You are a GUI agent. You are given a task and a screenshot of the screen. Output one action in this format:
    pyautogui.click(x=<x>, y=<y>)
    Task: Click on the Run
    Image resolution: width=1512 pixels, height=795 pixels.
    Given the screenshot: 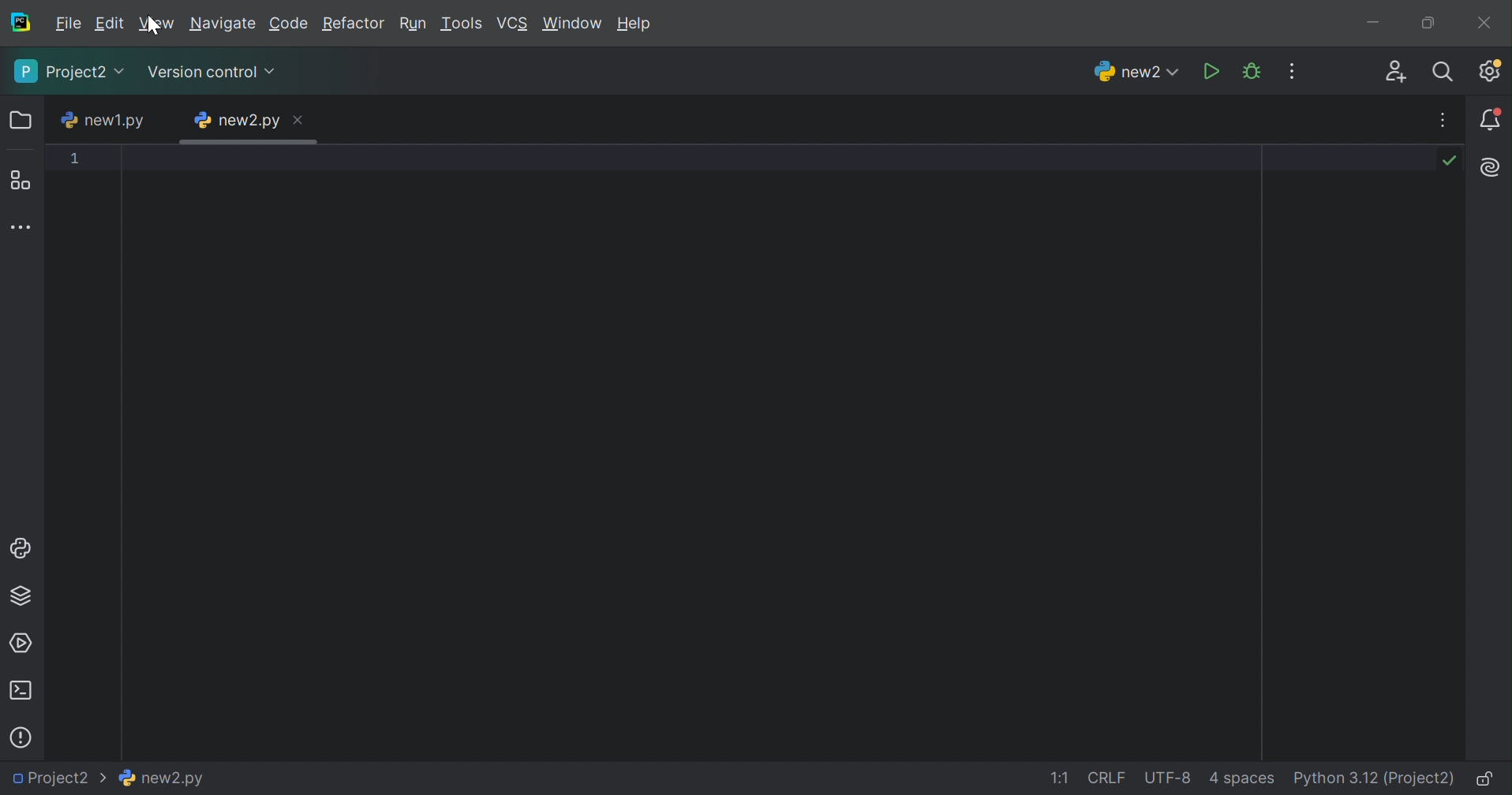 What is the action you would take?
    pyautogui.click(x=411, y=21)
    